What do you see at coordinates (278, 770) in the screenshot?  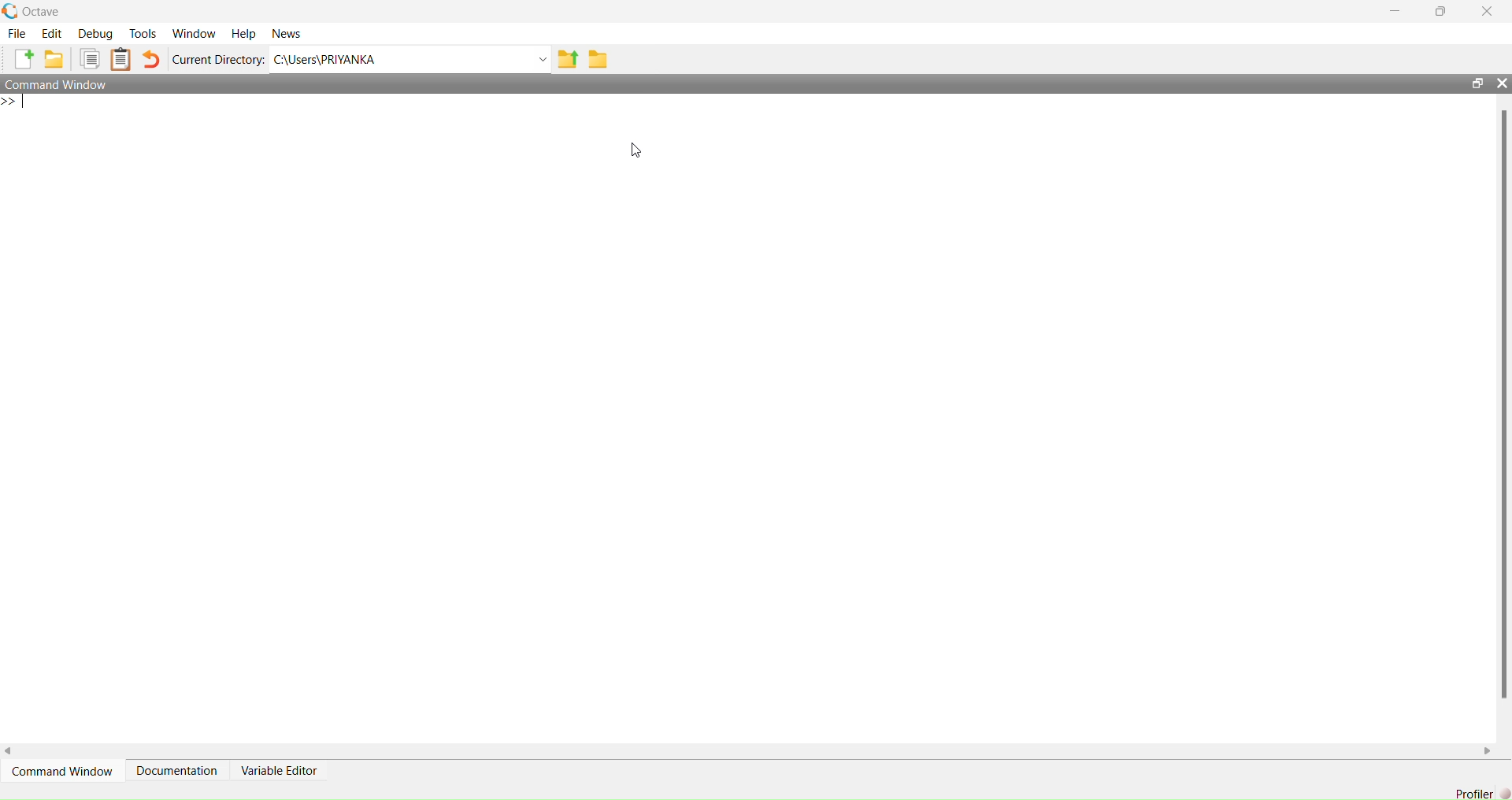 I see `Variable Editor` at bounding box center [278, 770].